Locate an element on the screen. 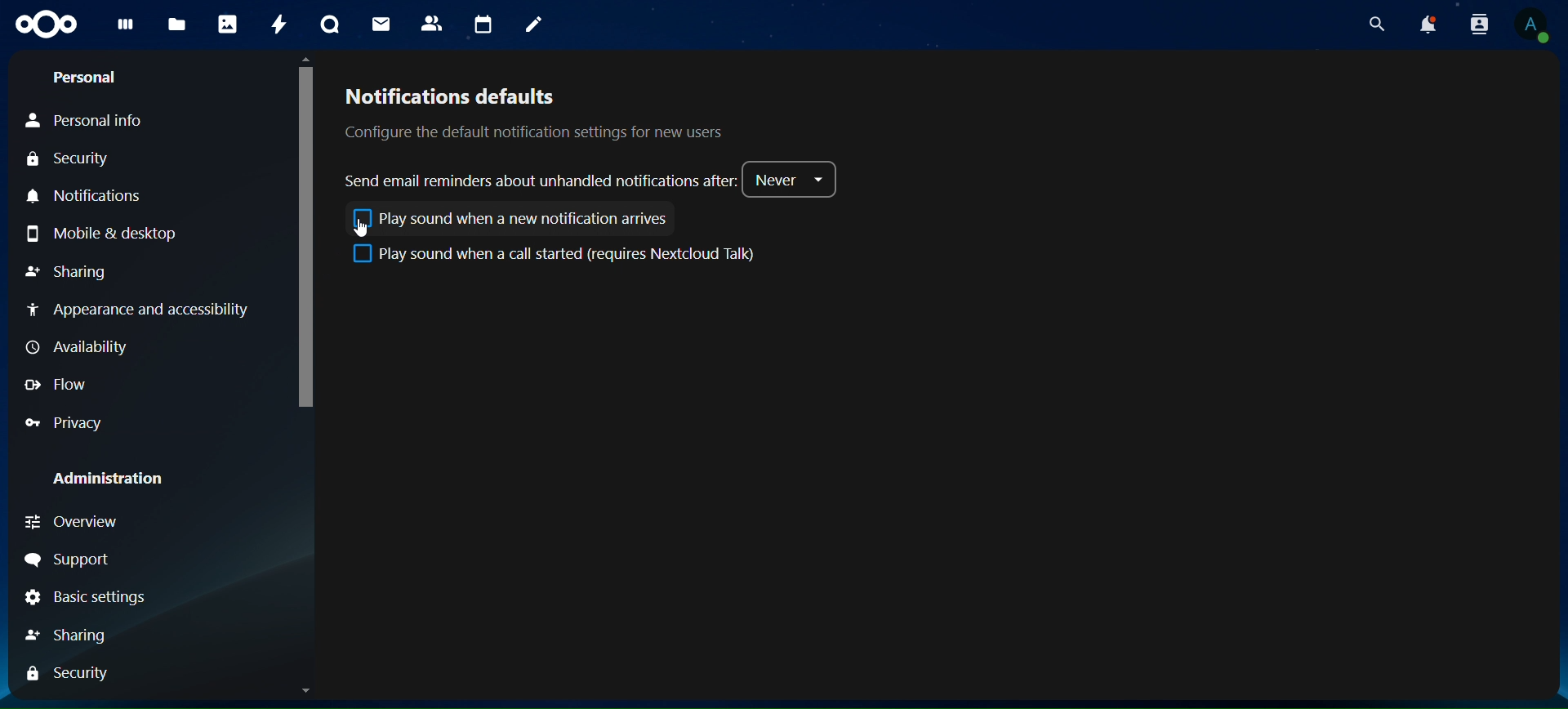 The image size is (1568, 709). mail is located at coordinates (379, 25).